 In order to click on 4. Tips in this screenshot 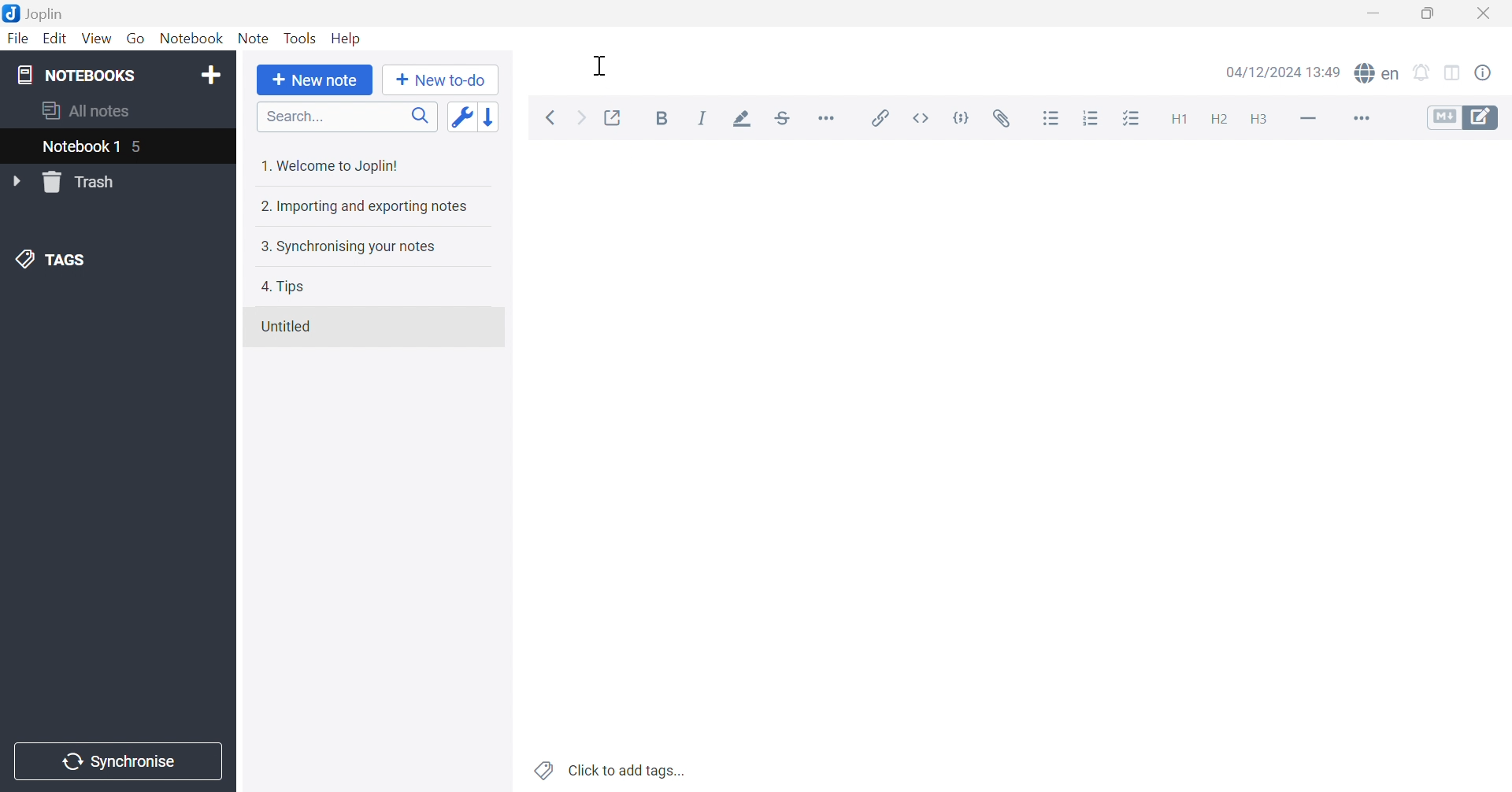, I will do `click(289, 288)`.